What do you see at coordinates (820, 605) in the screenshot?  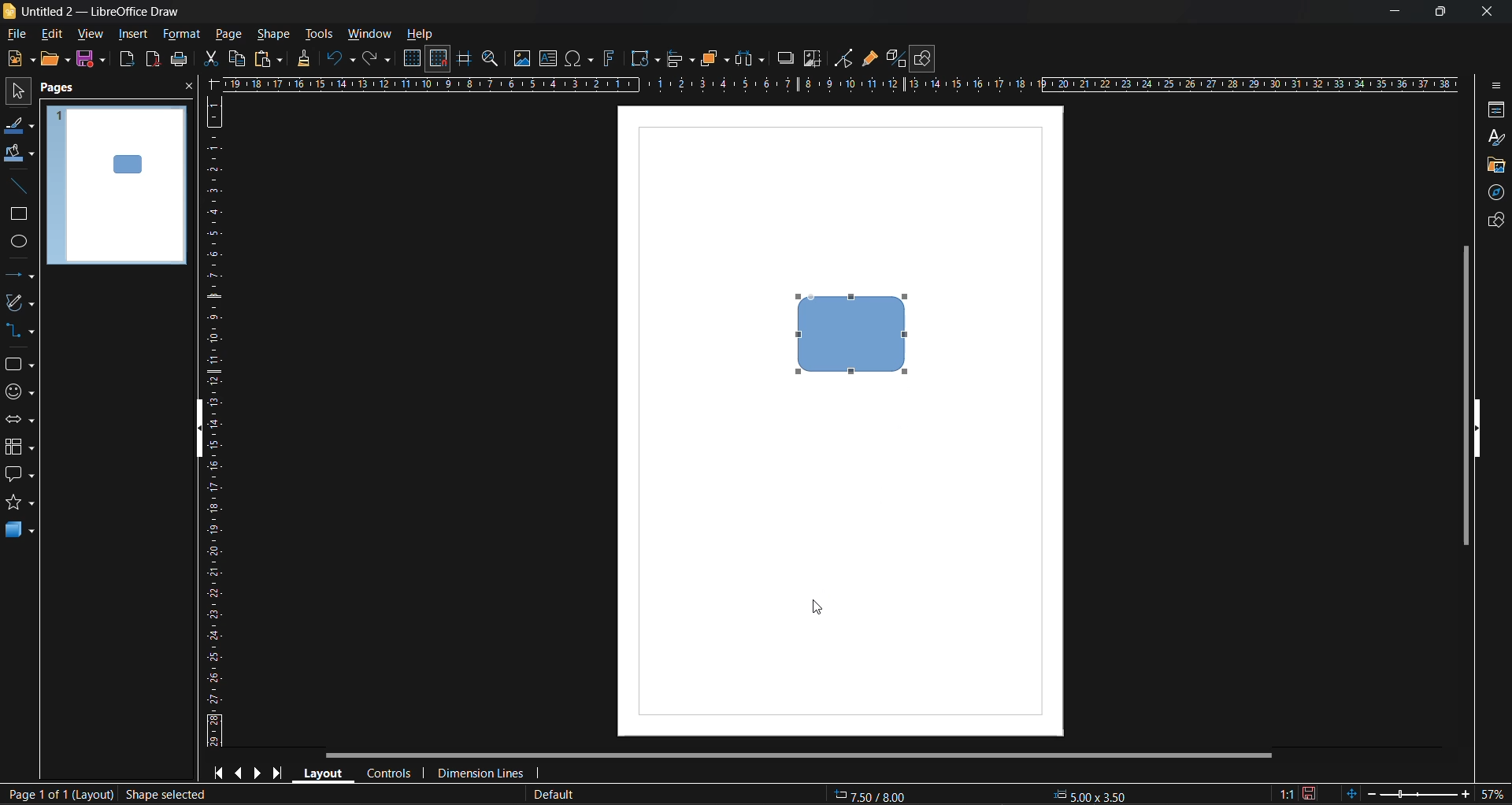 I see `cursor` at bounding box center [820, 605].